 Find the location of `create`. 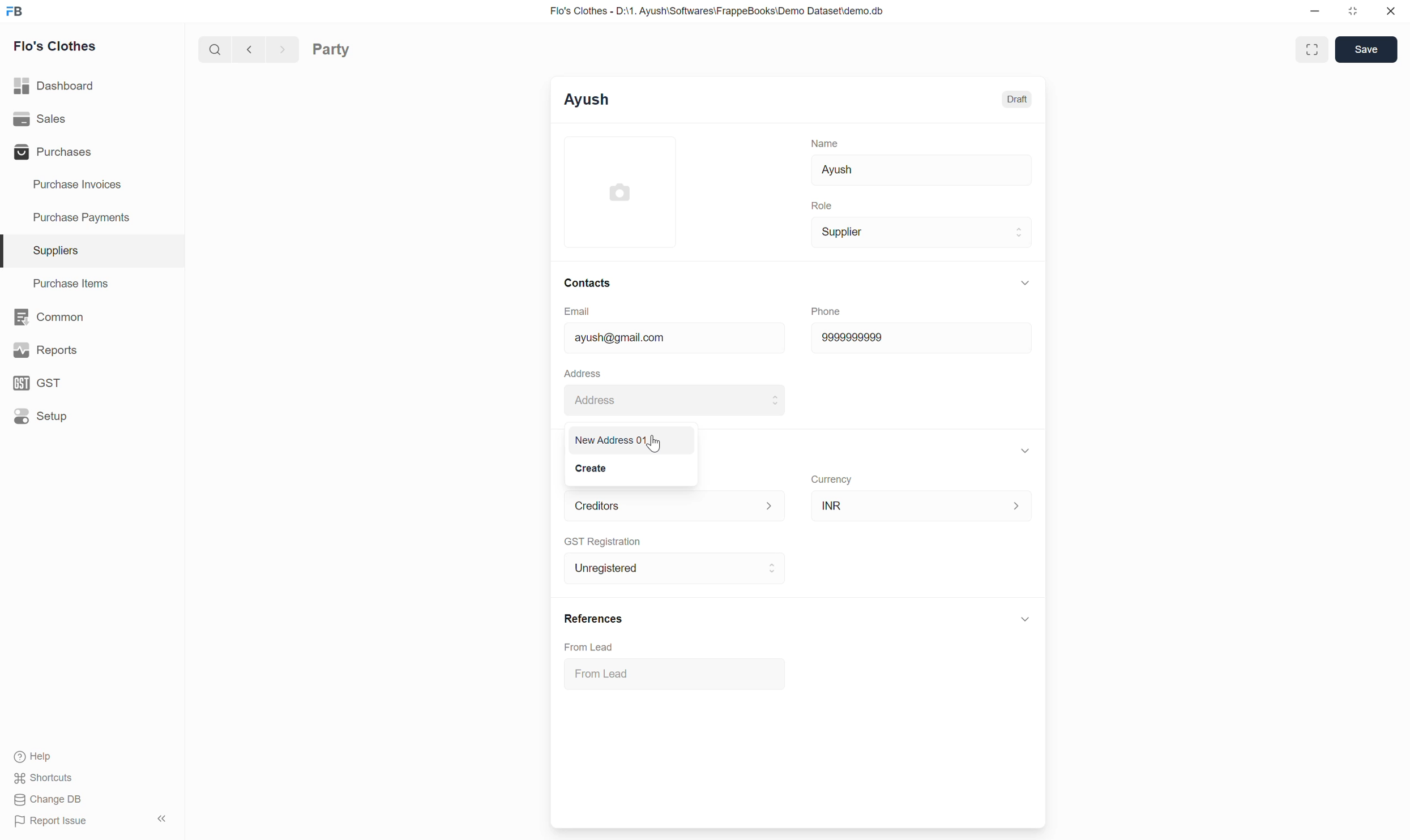

create is located at coordinates (594, 468).